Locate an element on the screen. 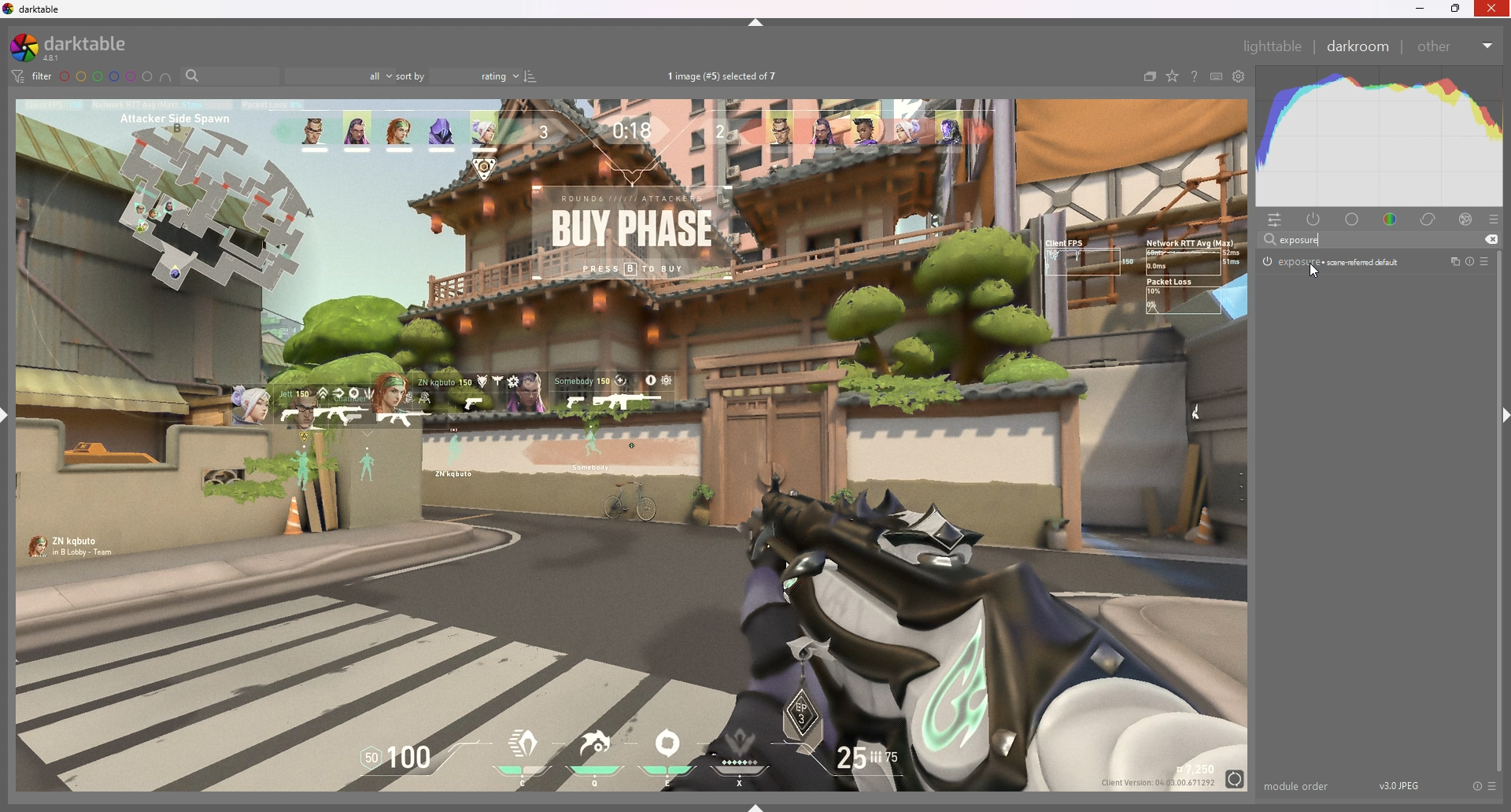 This screenshot has height=812, width=1511. filter by name is located at coordinates (230, 75).